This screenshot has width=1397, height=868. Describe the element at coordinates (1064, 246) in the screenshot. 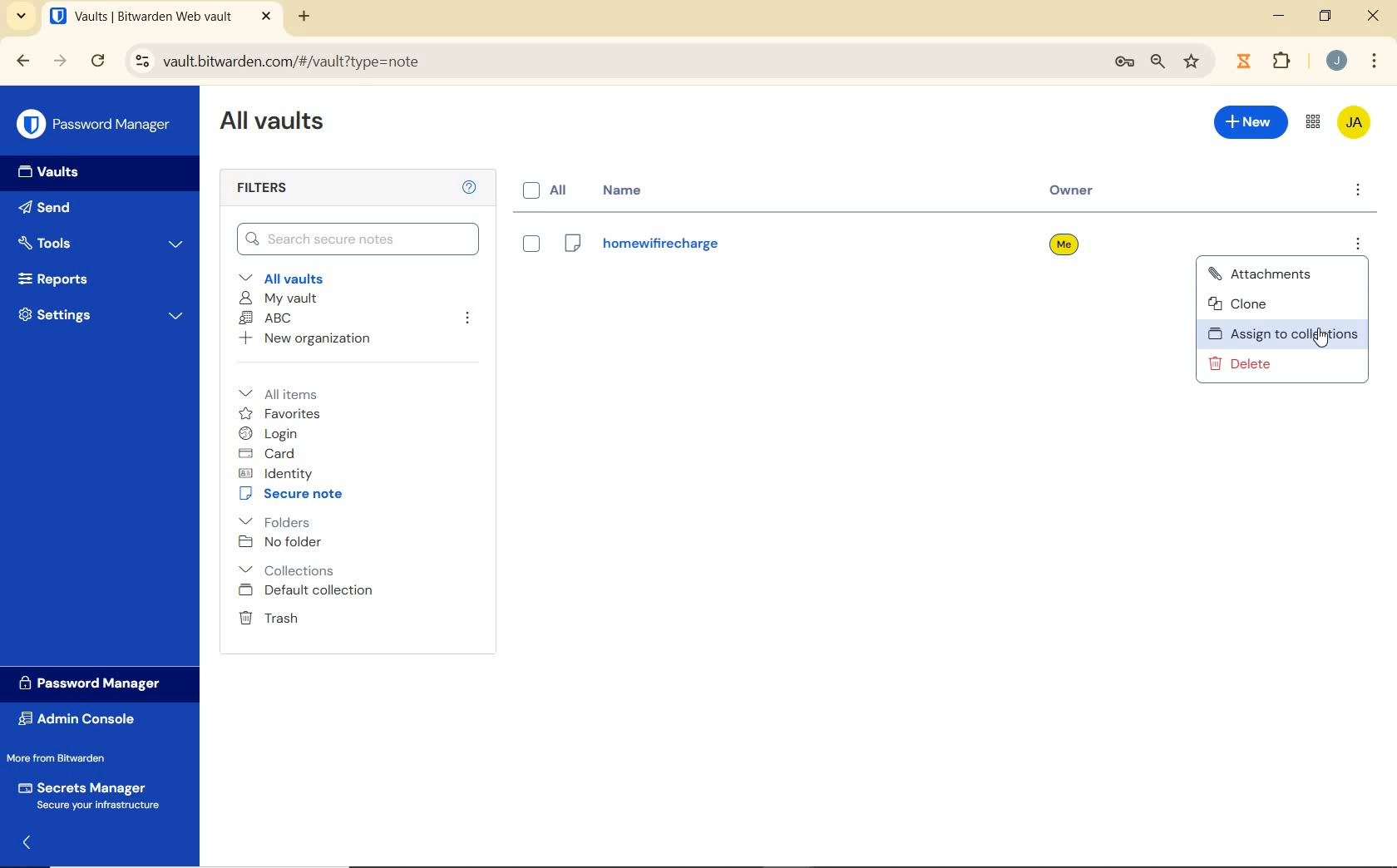

I see `owner` at that location.